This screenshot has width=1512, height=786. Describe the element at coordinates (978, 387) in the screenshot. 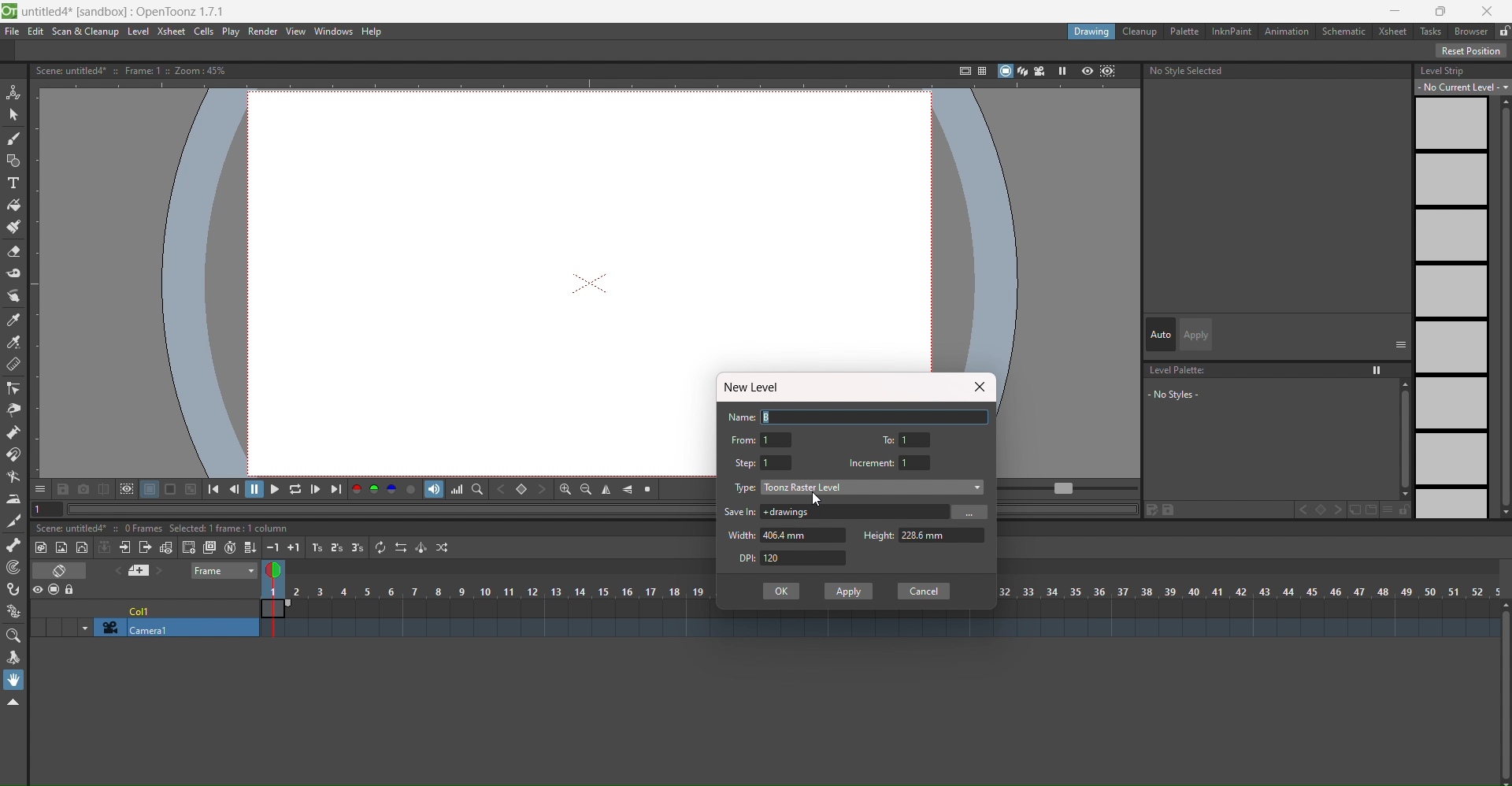

I see `close` at that location.